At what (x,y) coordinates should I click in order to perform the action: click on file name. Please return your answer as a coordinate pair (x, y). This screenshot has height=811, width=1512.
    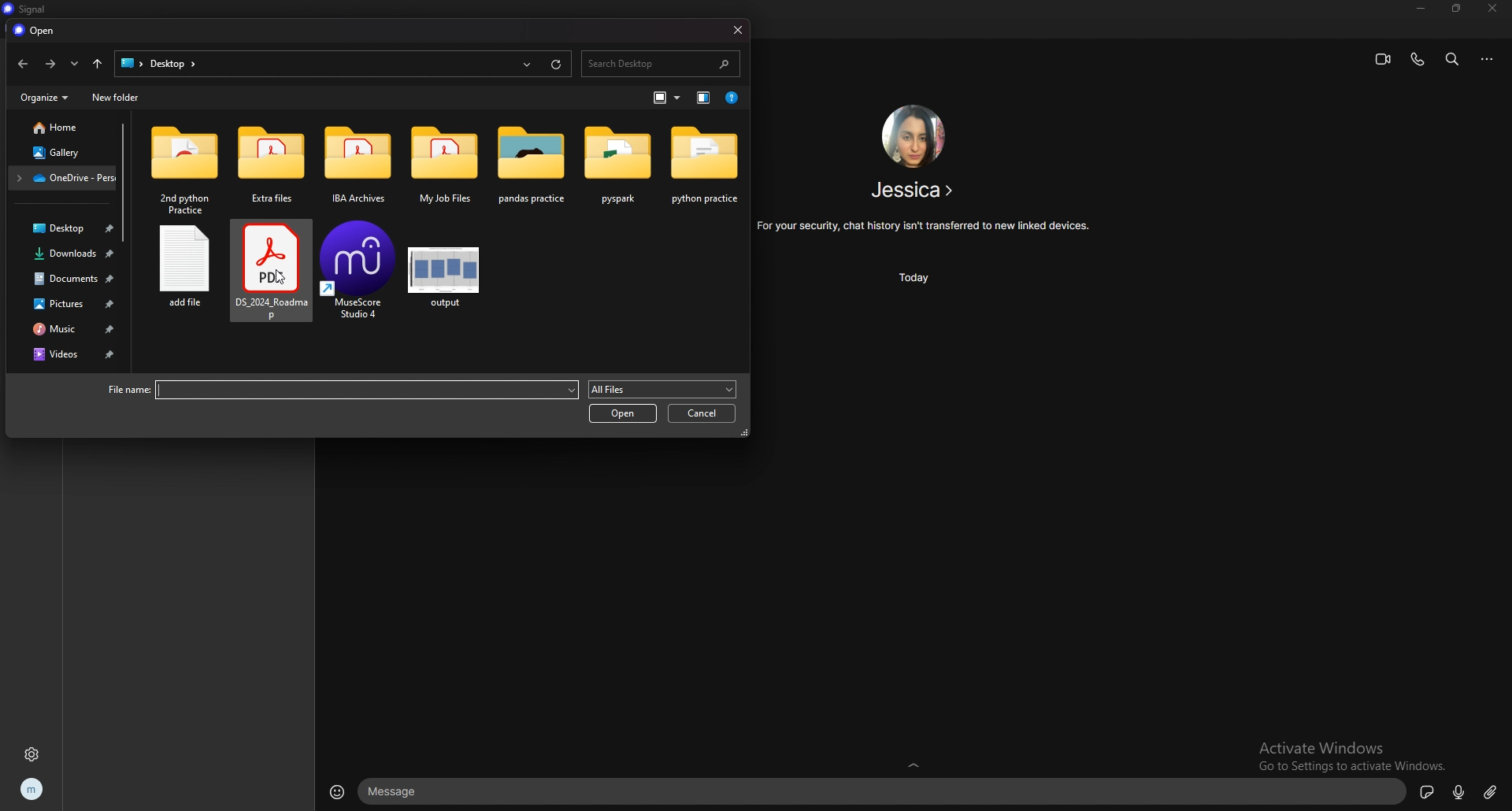
    Looking at the image, I should click on (339, 391).